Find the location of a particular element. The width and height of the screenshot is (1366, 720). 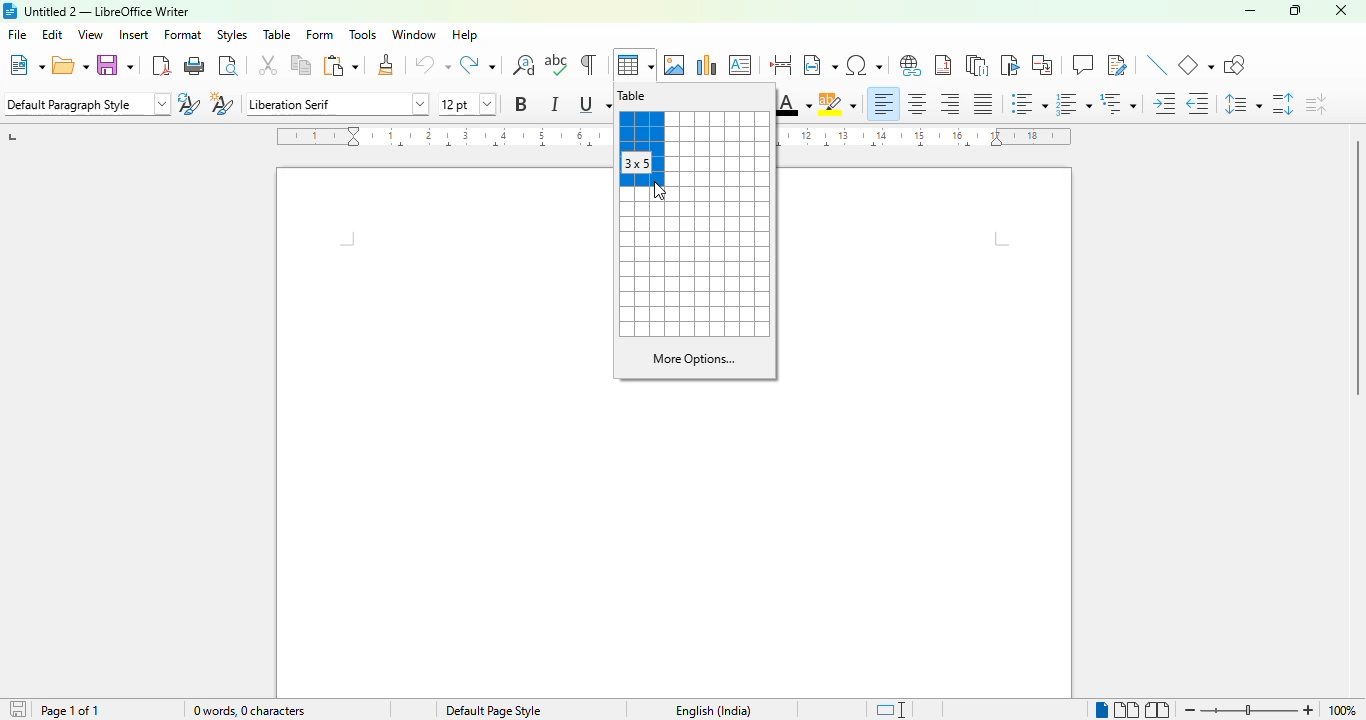

title is located at coordinates (108, 12).